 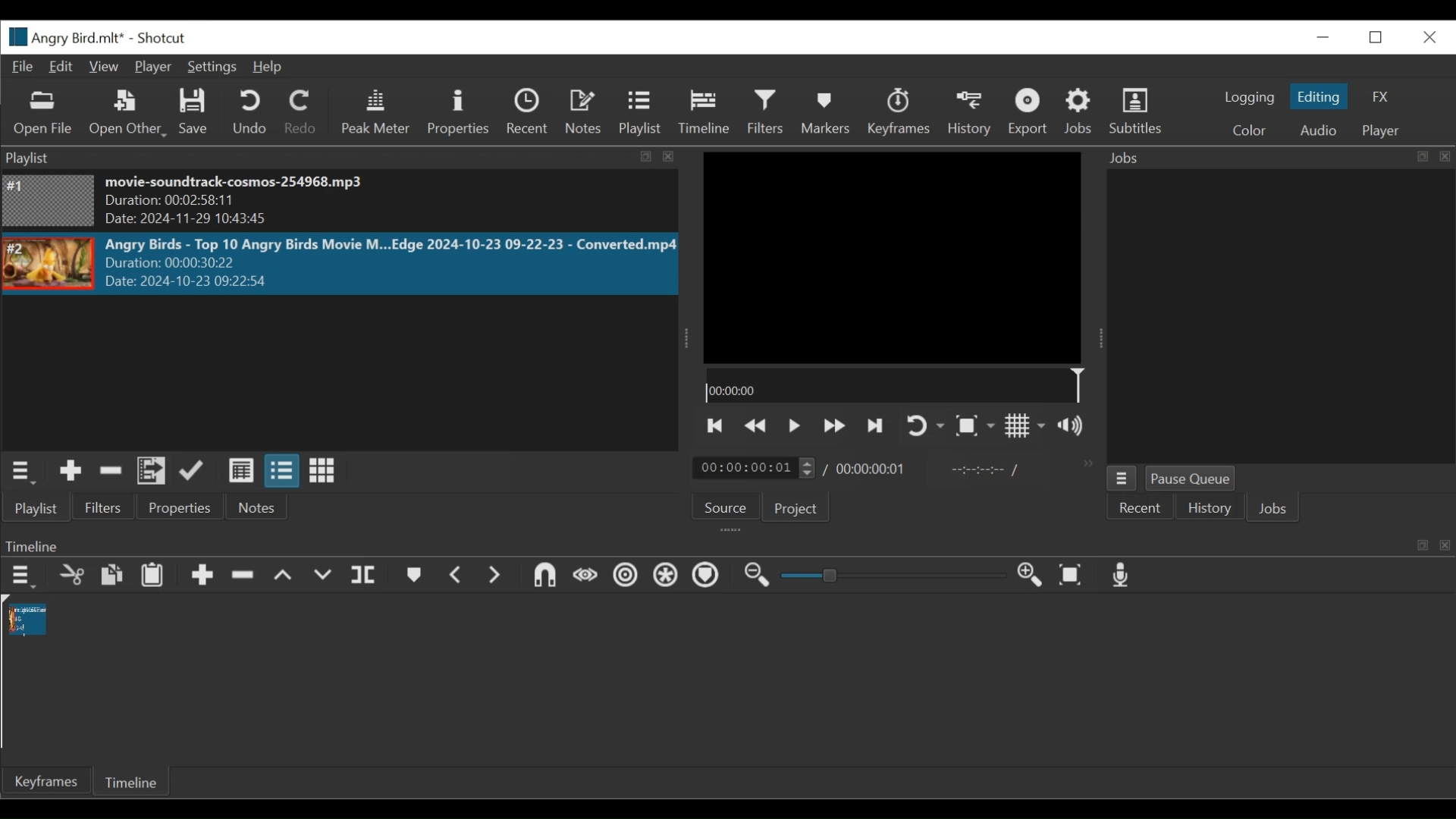 What do you see at coordinates (1026, 427) in the screenshot?
I see `Toggle display grid on the player` at bounding box center [1026, 427].